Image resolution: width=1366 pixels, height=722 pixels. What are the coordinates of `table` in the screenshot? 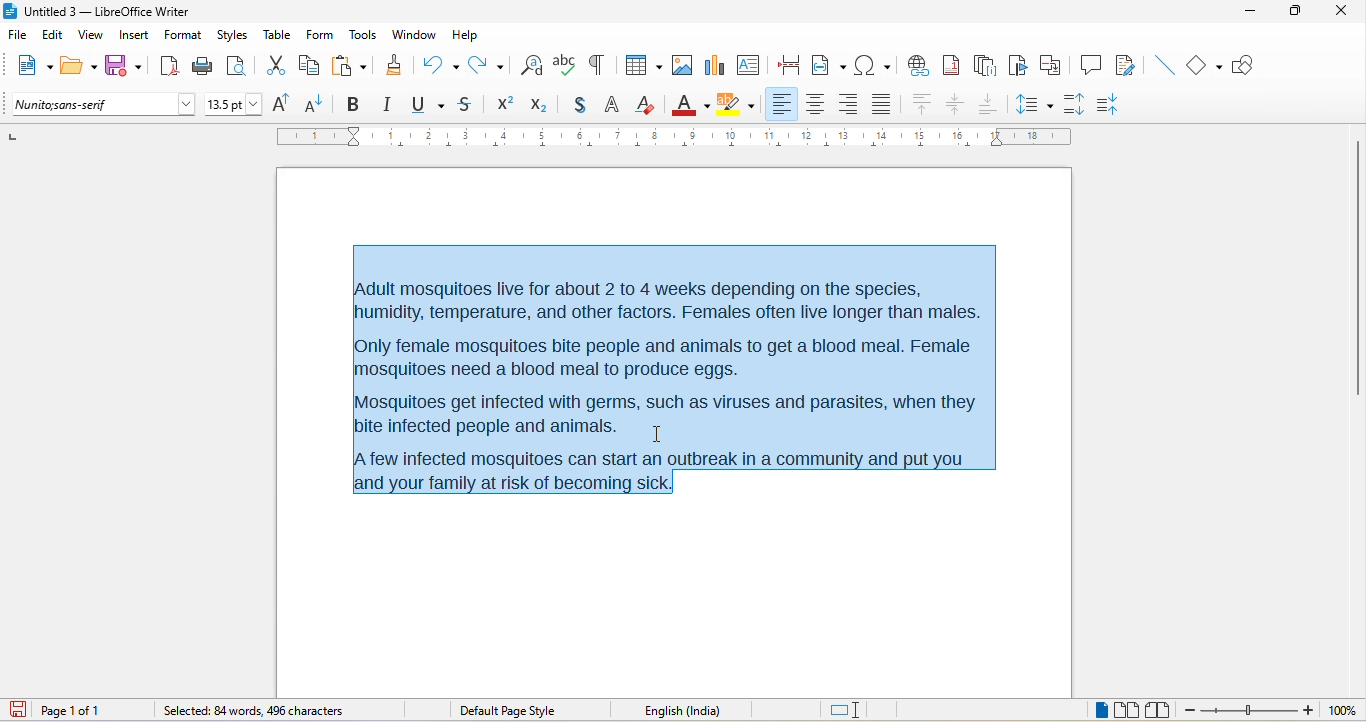 It's located at (278, 34).